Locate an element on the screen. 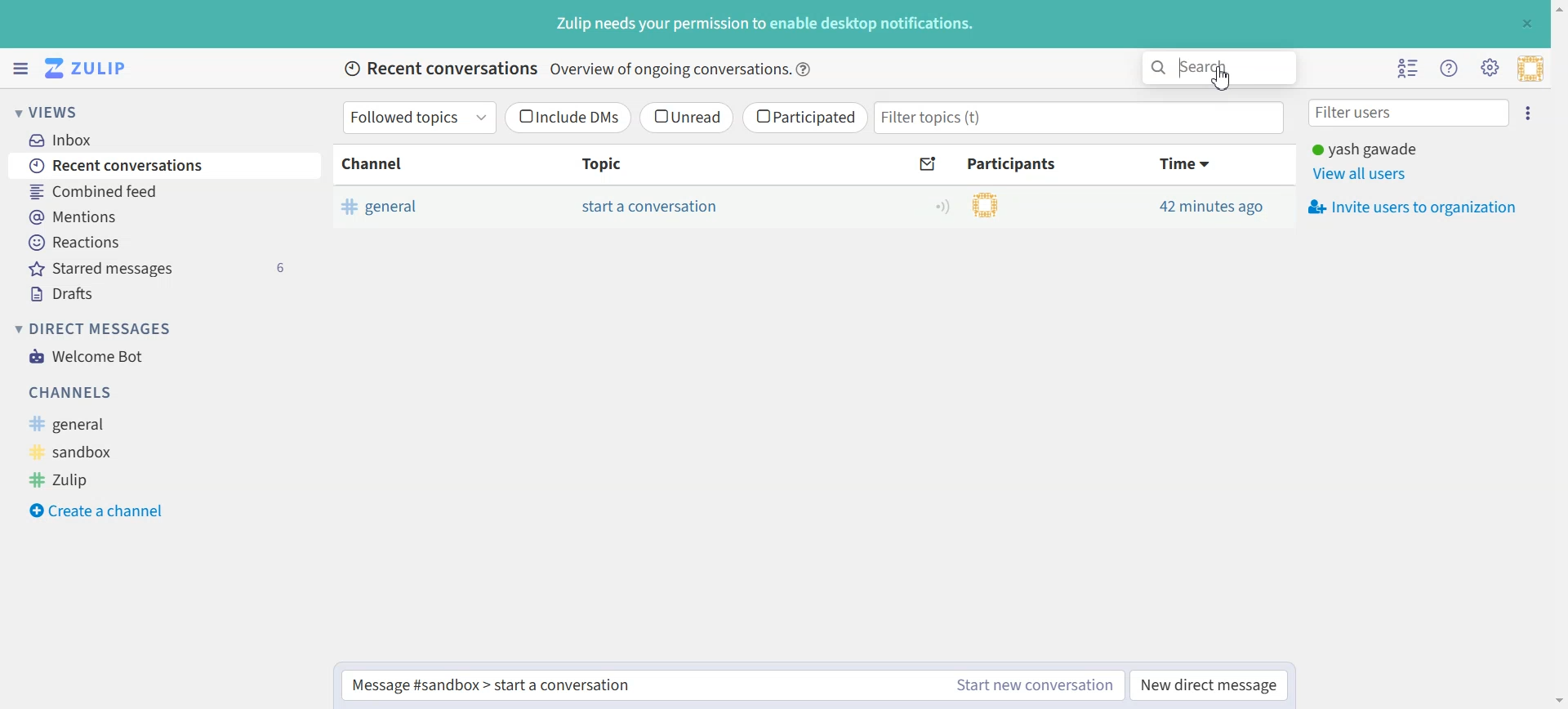 The width and height of the screenshot is (1568, 709). Starred messages is located at coordinates (163, 267).